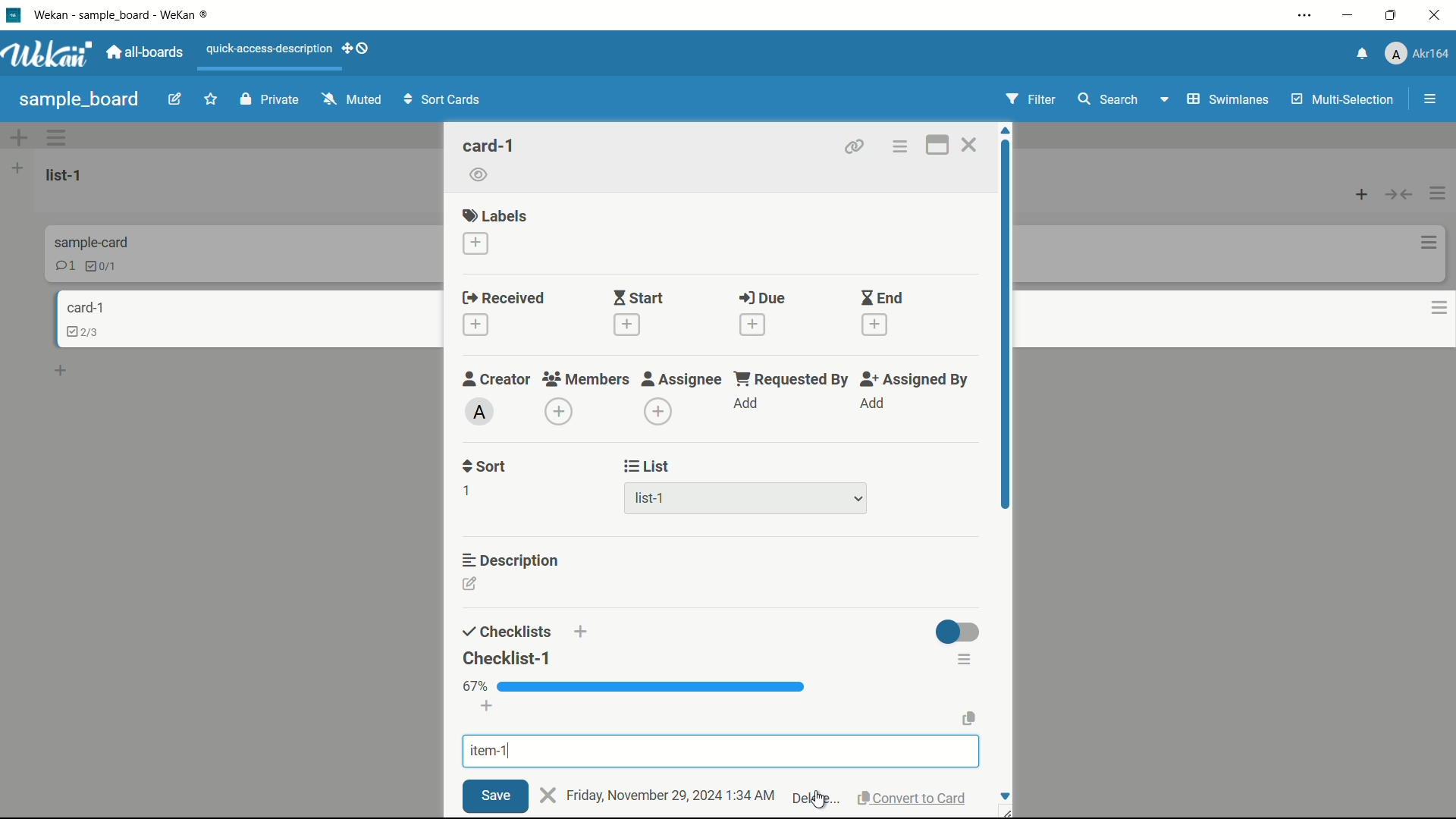 Image resolution: width=1456 pixels, height=819 pixels. I want to click on card name, so click(83, 309).